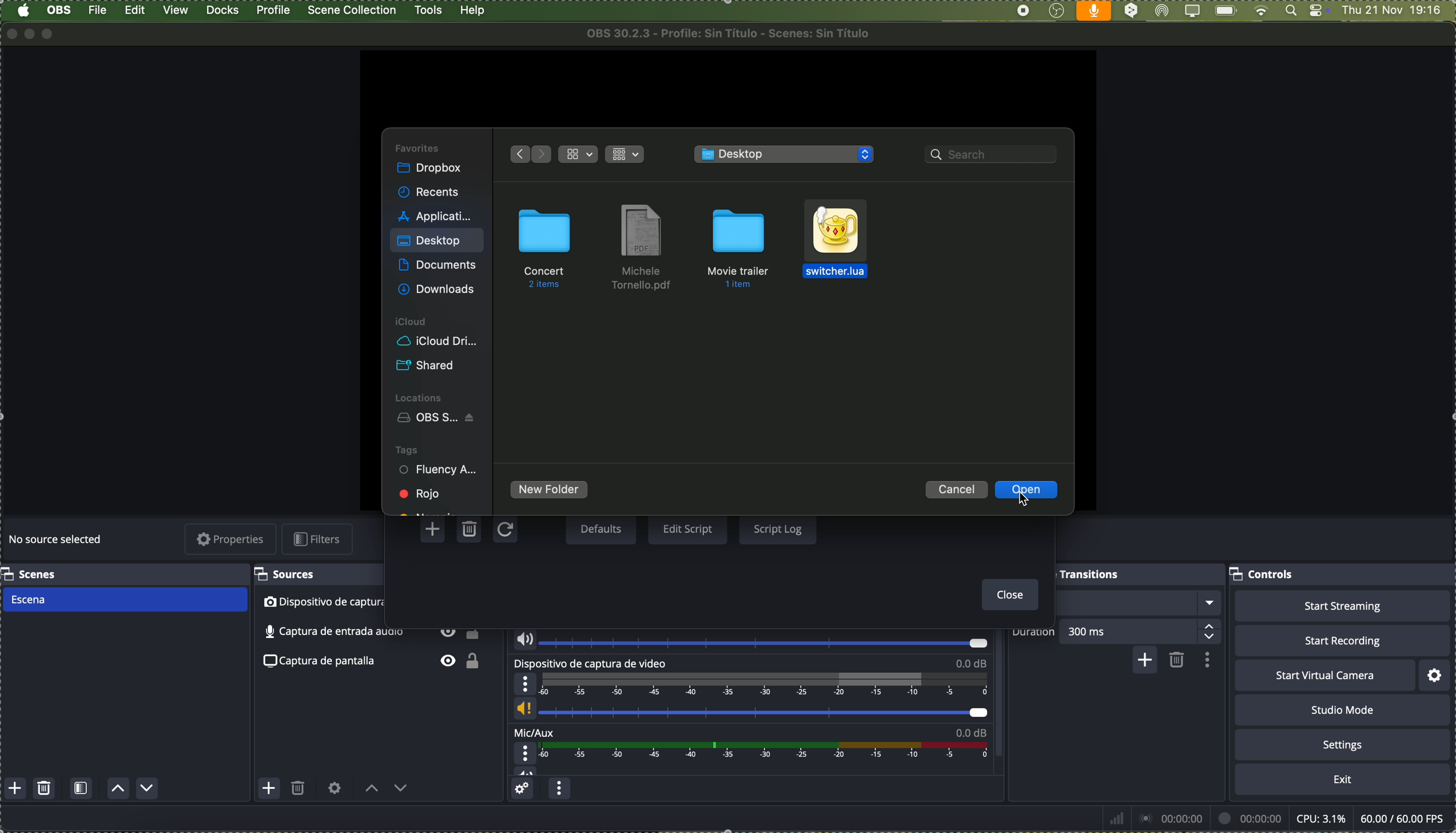 The height and width of the screenshot is (833, 1456). What do you see at coordinates (437, 266) in the screenshot?
I see `documents` at bounding box center [437, 266].